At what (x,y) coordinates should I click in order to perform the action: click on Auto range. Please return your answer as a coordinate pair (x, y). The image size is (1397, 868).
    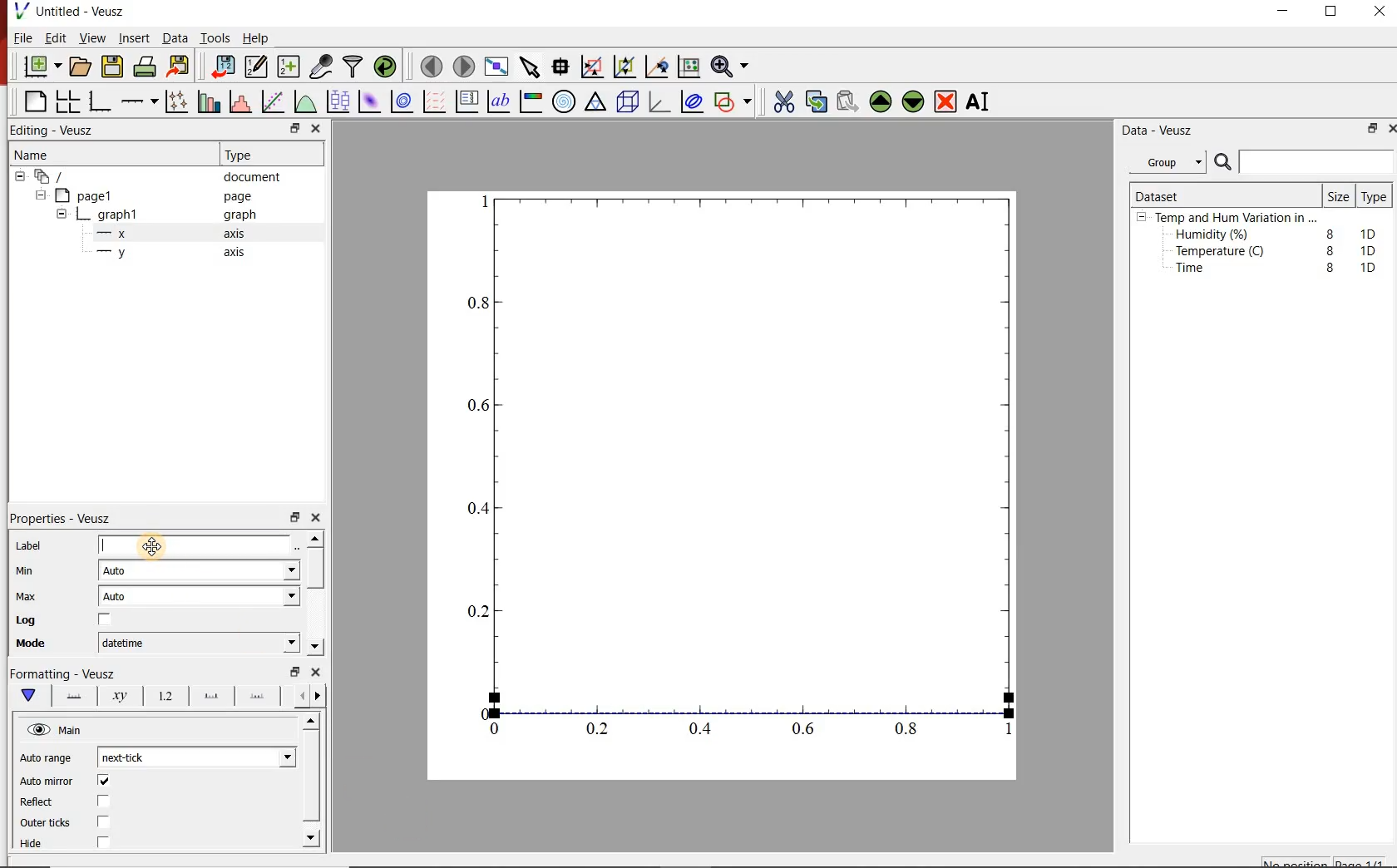
    Looking at the image, I should click on (49, 759).